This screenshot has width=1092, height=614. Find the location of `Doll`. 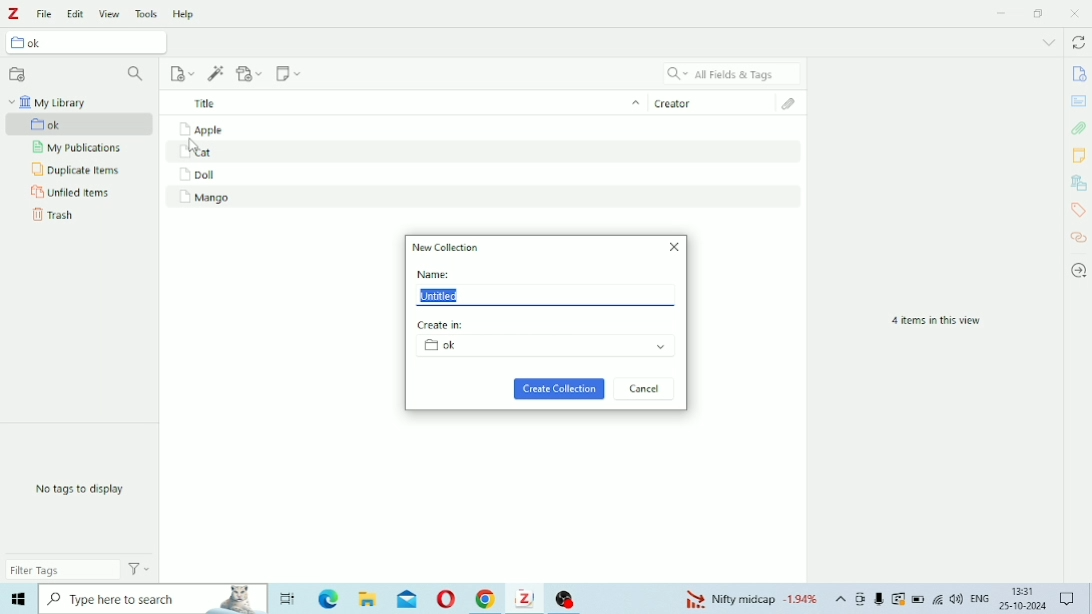

Doll is located at coordinates (197, 175).